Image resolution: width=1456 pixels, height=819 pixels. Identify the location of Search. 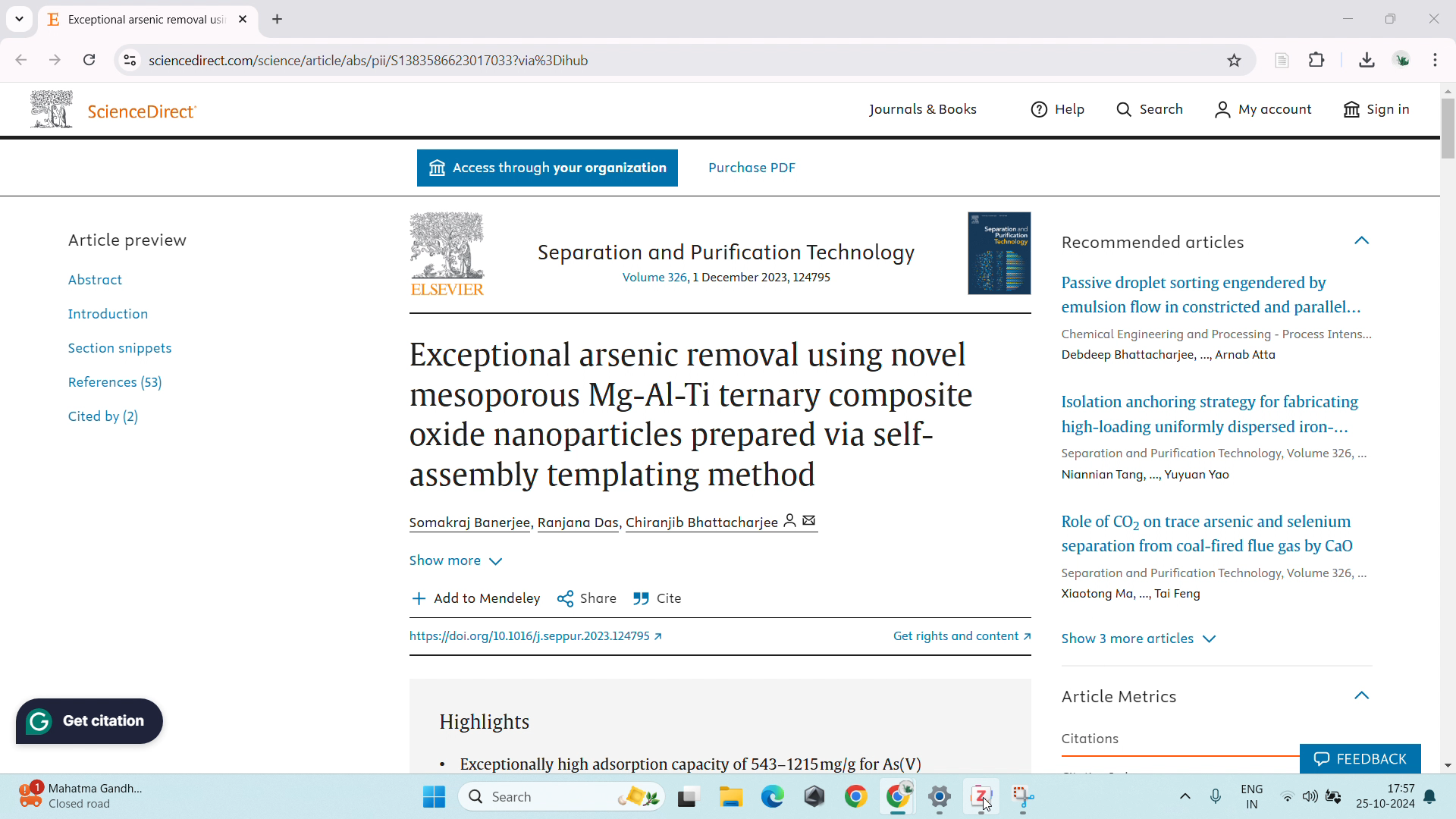
(1155, 107).